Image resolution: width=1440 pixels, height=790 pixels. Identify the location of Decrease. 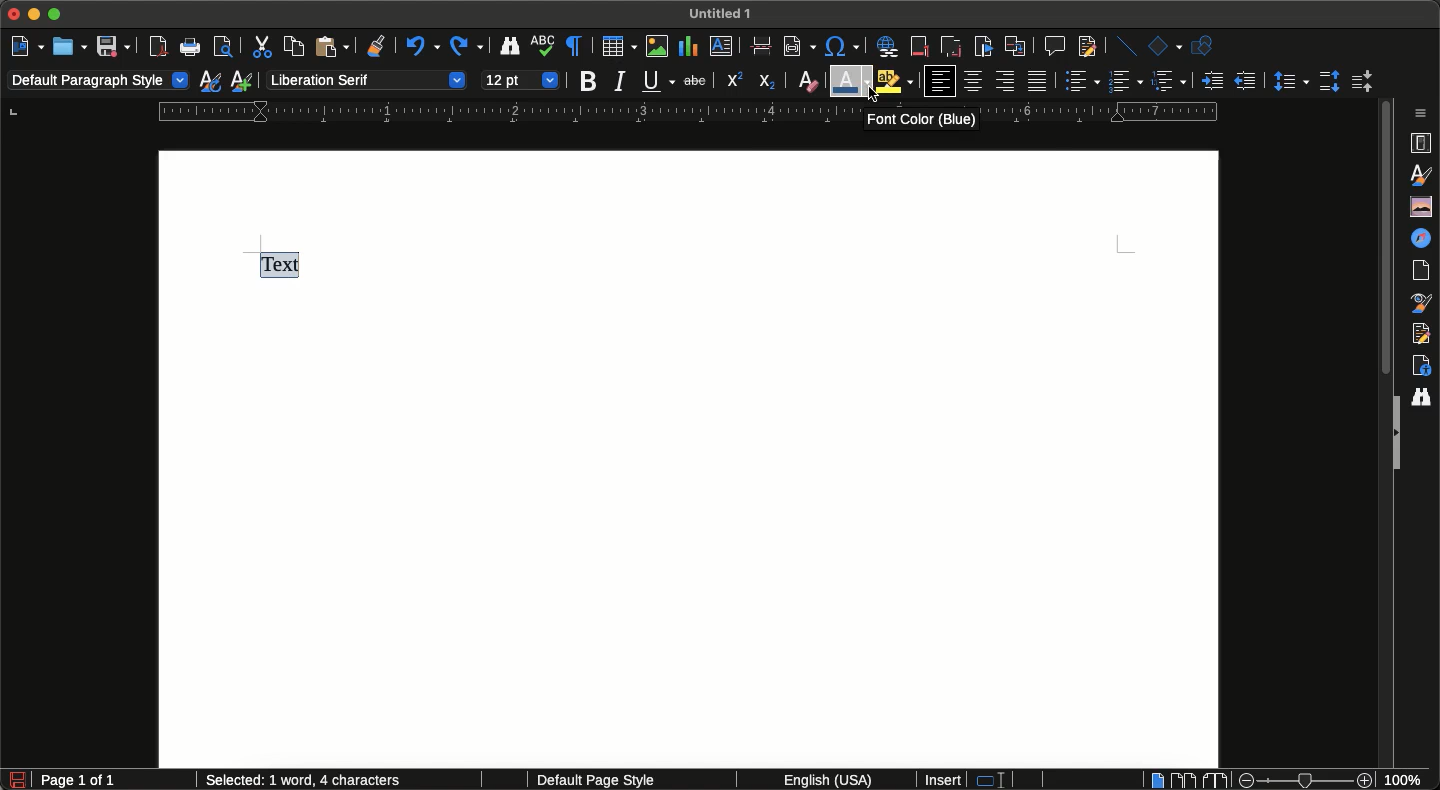
(1245, 81).